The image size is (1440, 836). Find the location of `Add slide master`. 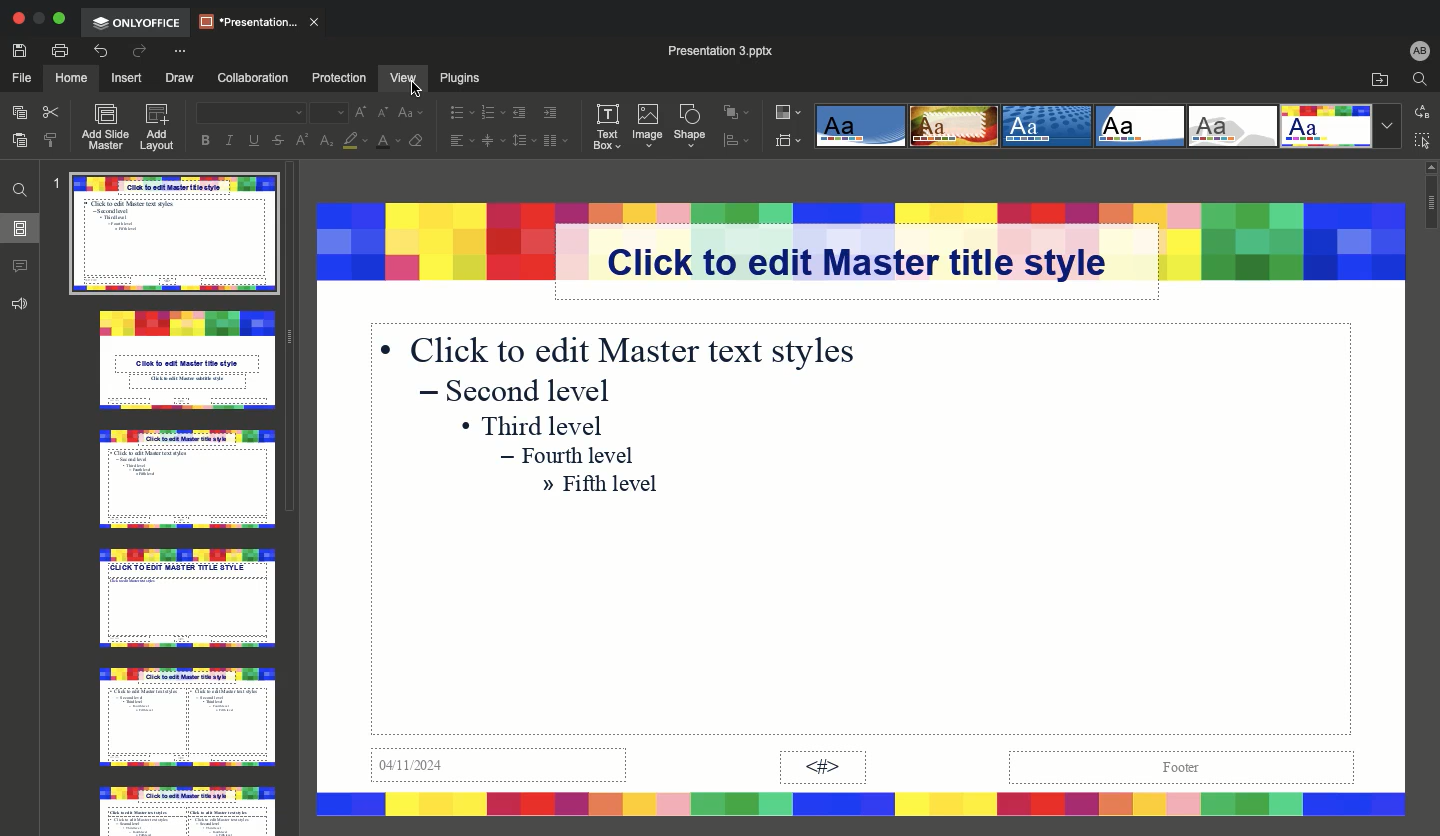

Add slide master is located at coordinates (103, 126).